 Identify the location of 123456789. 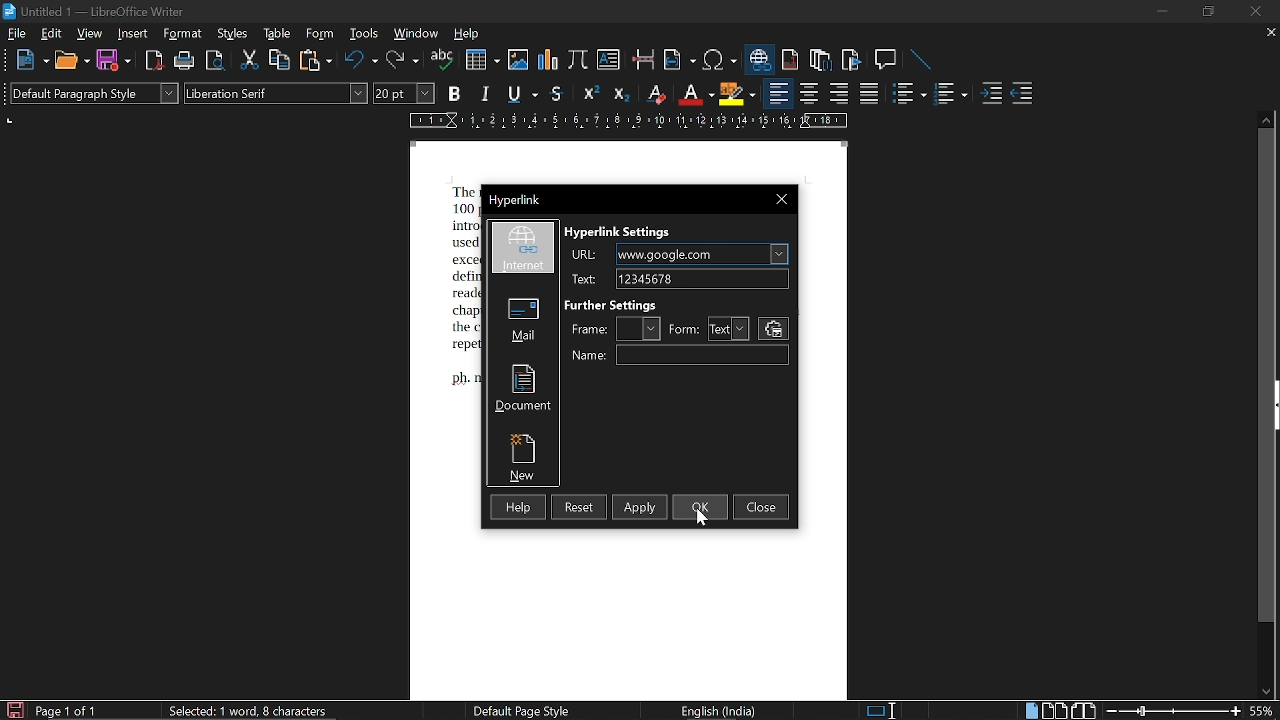
(706, 279).